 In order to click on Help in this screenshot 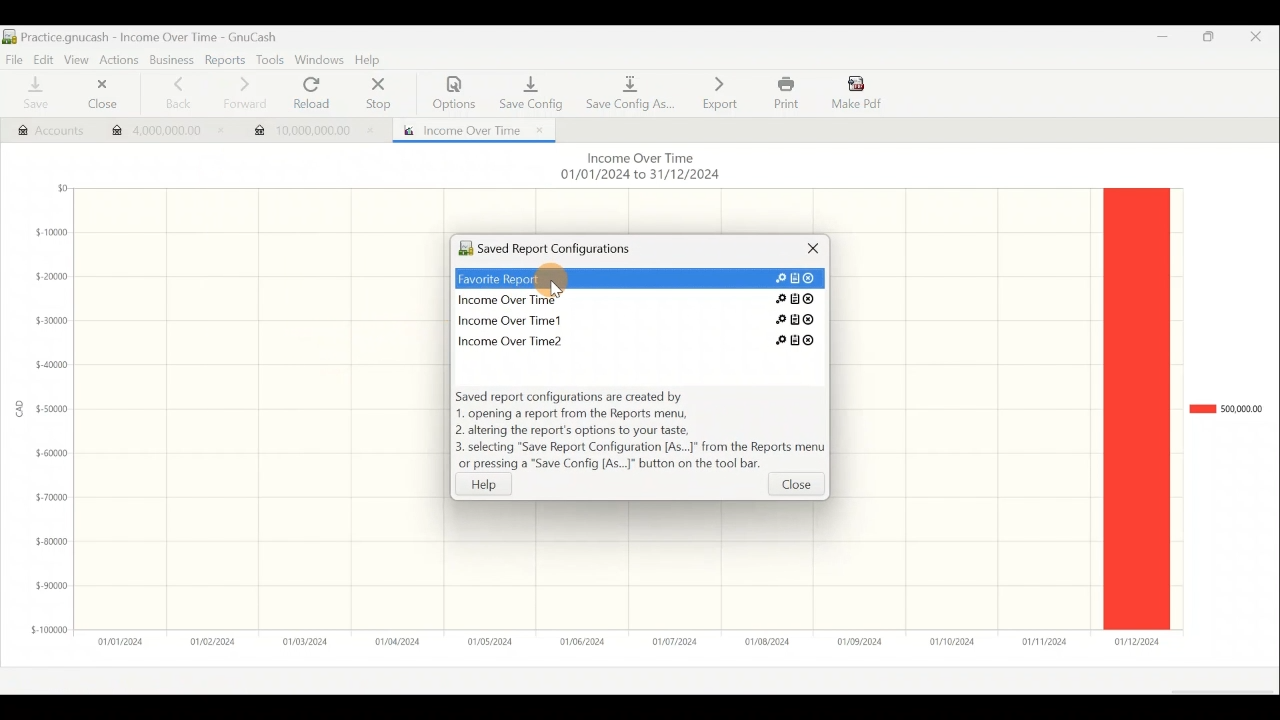, I will do `click(494, 484)`.